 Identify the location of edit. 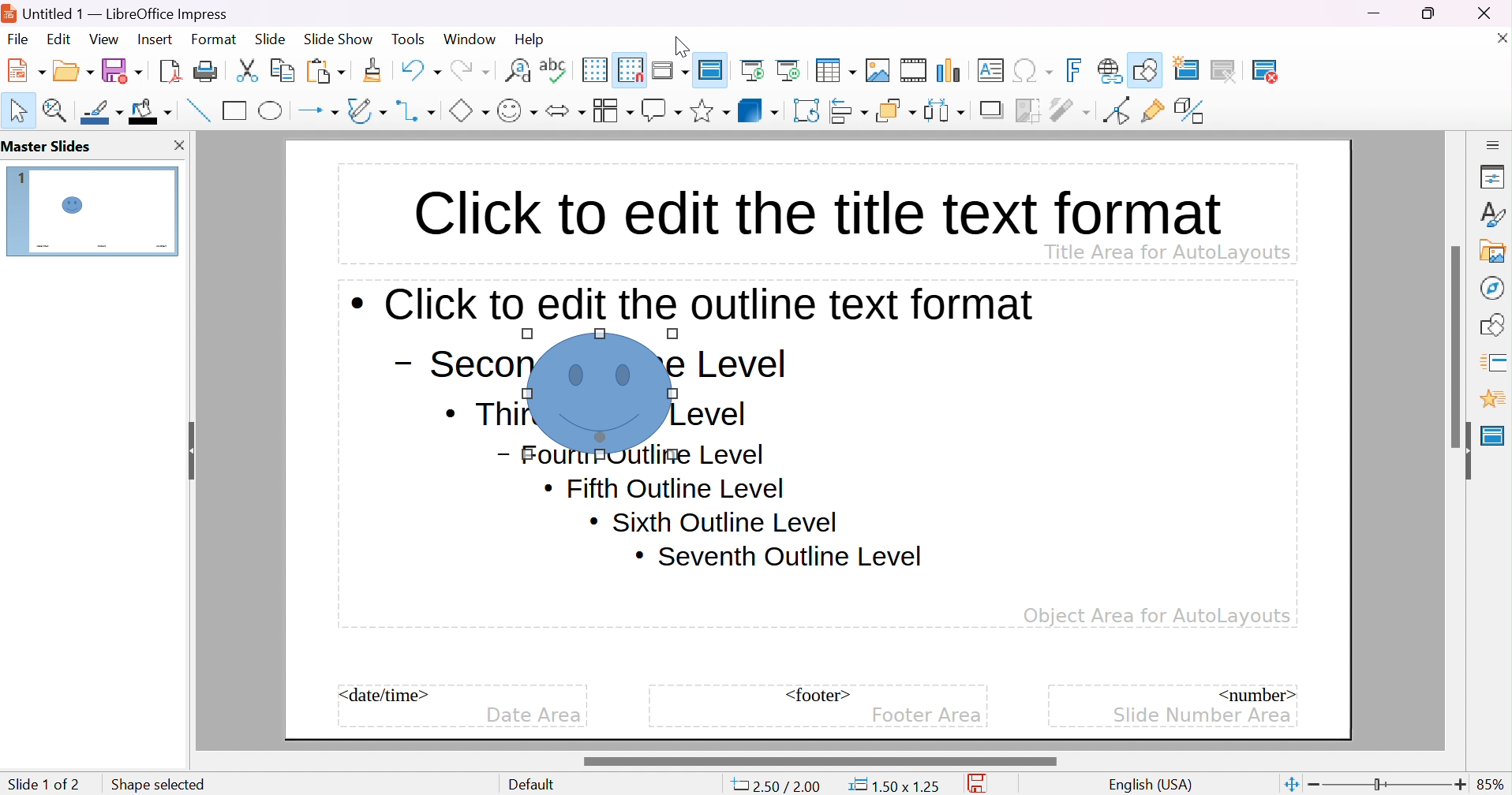
(61, 39).